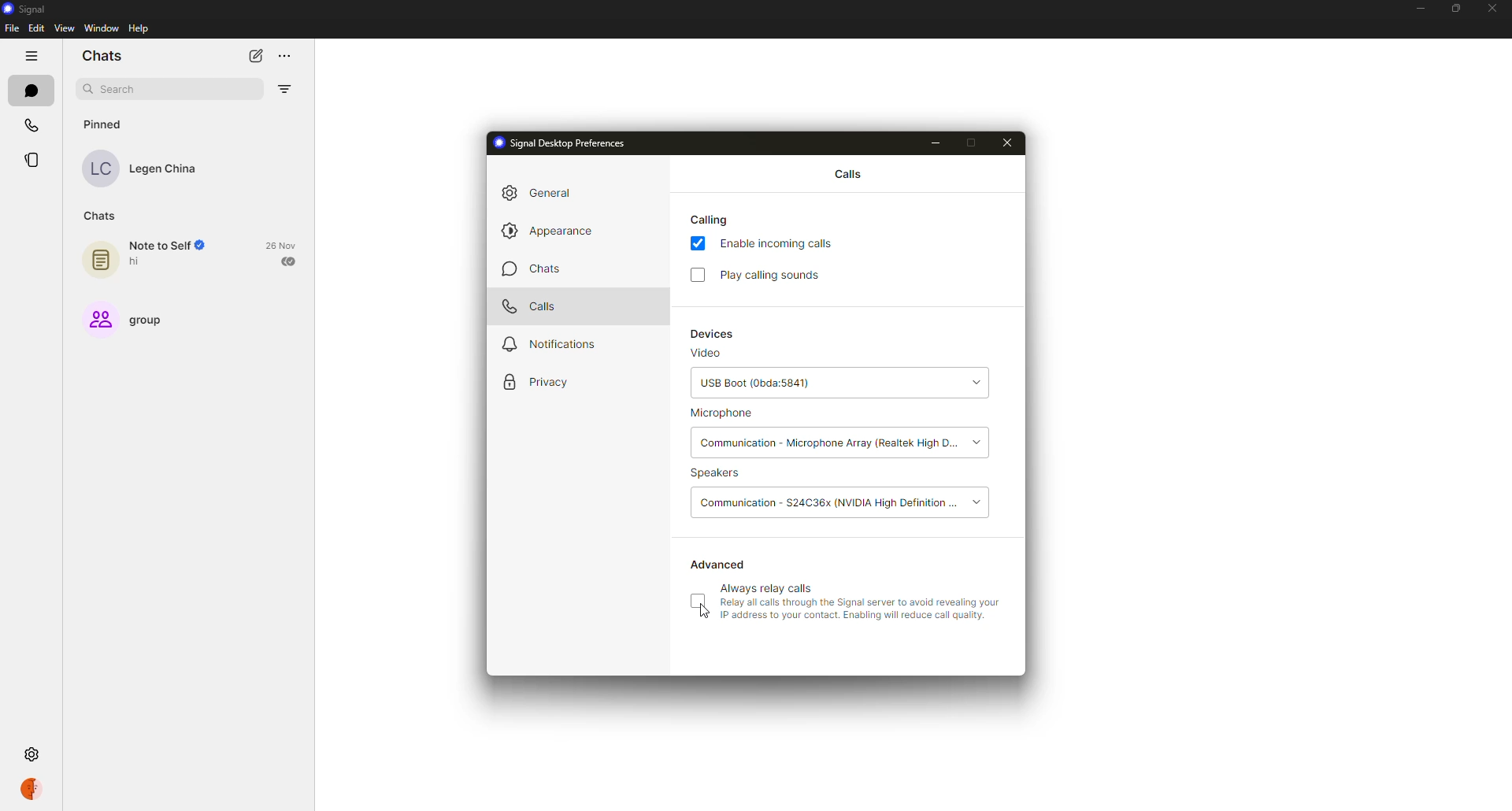 The image size is (1512, 811). Describe the element at coordinates (167, 171) in the screenshot. I see `Legen China` at that location.